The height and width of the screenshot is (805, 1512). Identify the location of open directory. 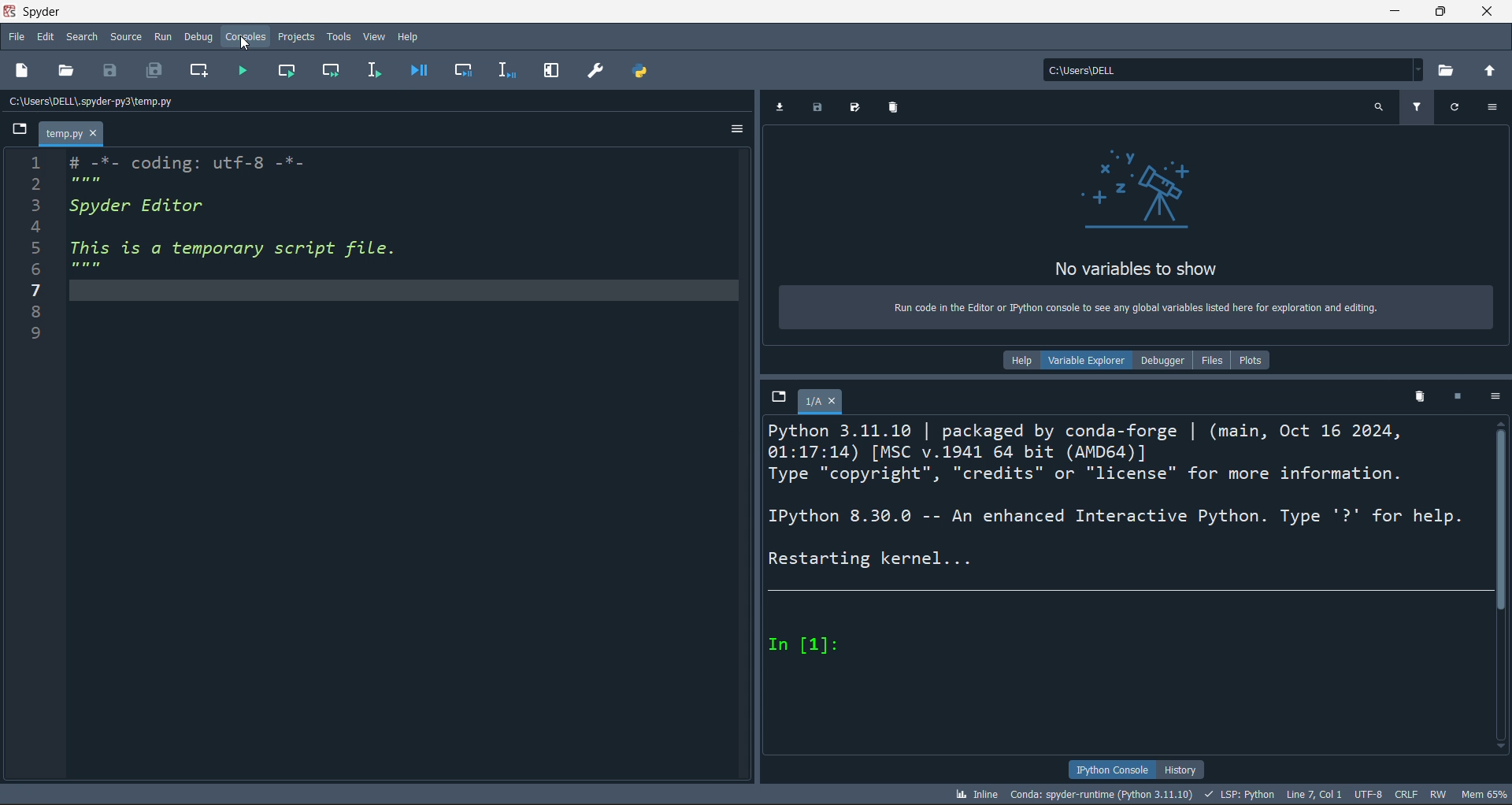
(1443, 65).